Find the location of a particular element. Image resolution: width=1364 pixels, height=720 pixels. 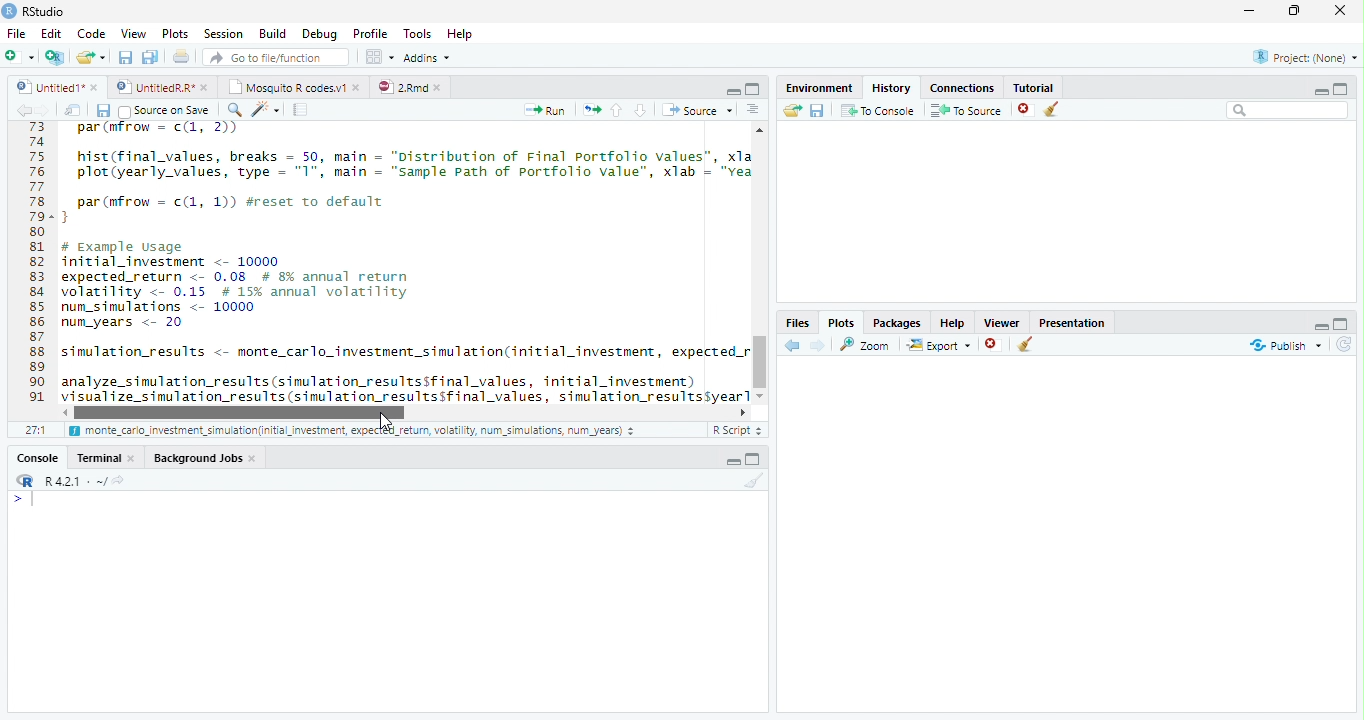

Refresh List is located at coordinates (1345, 345).